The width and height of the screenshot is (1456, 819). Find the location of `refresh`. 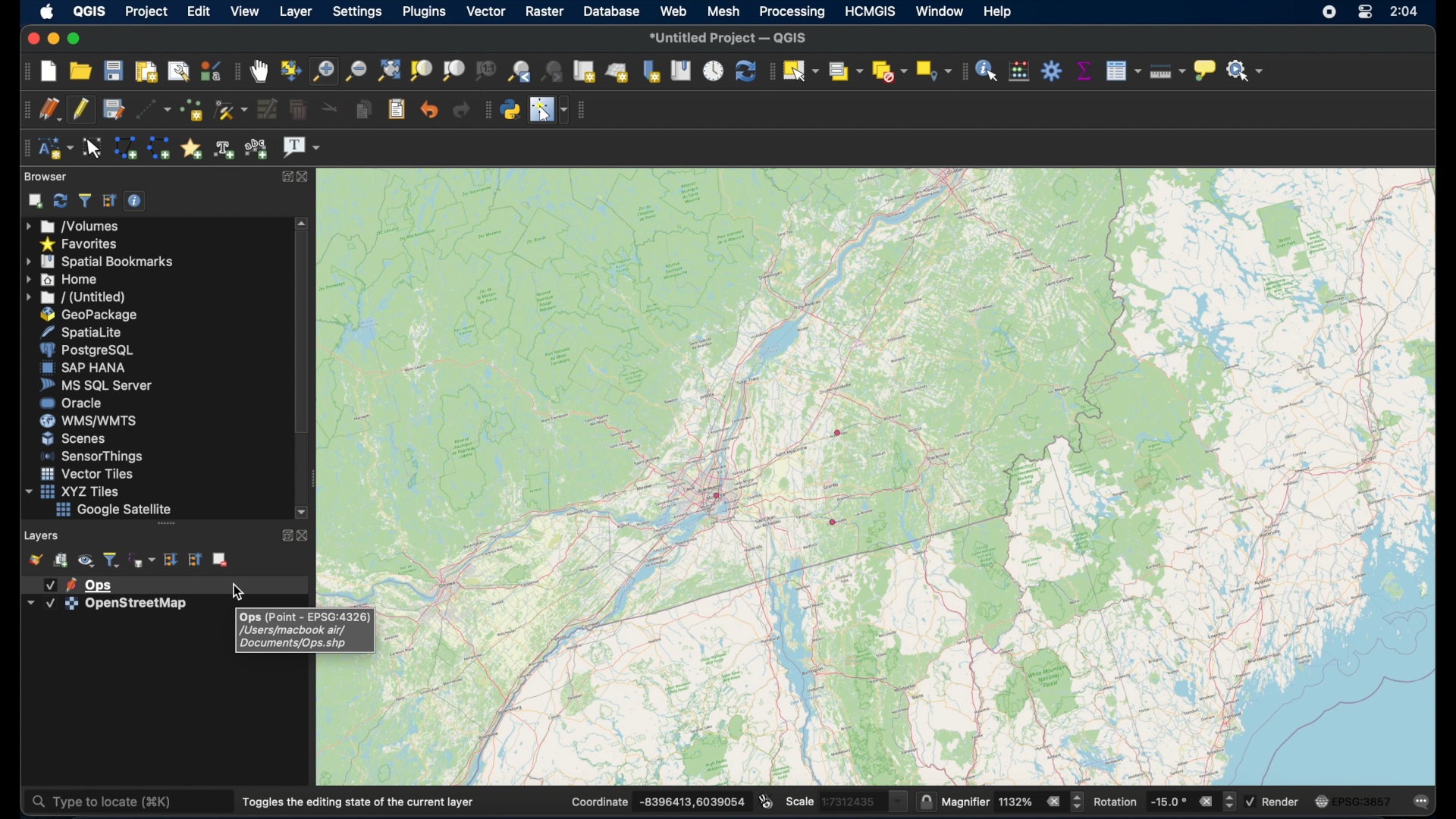

refresh is located at coordinates (743, 70).